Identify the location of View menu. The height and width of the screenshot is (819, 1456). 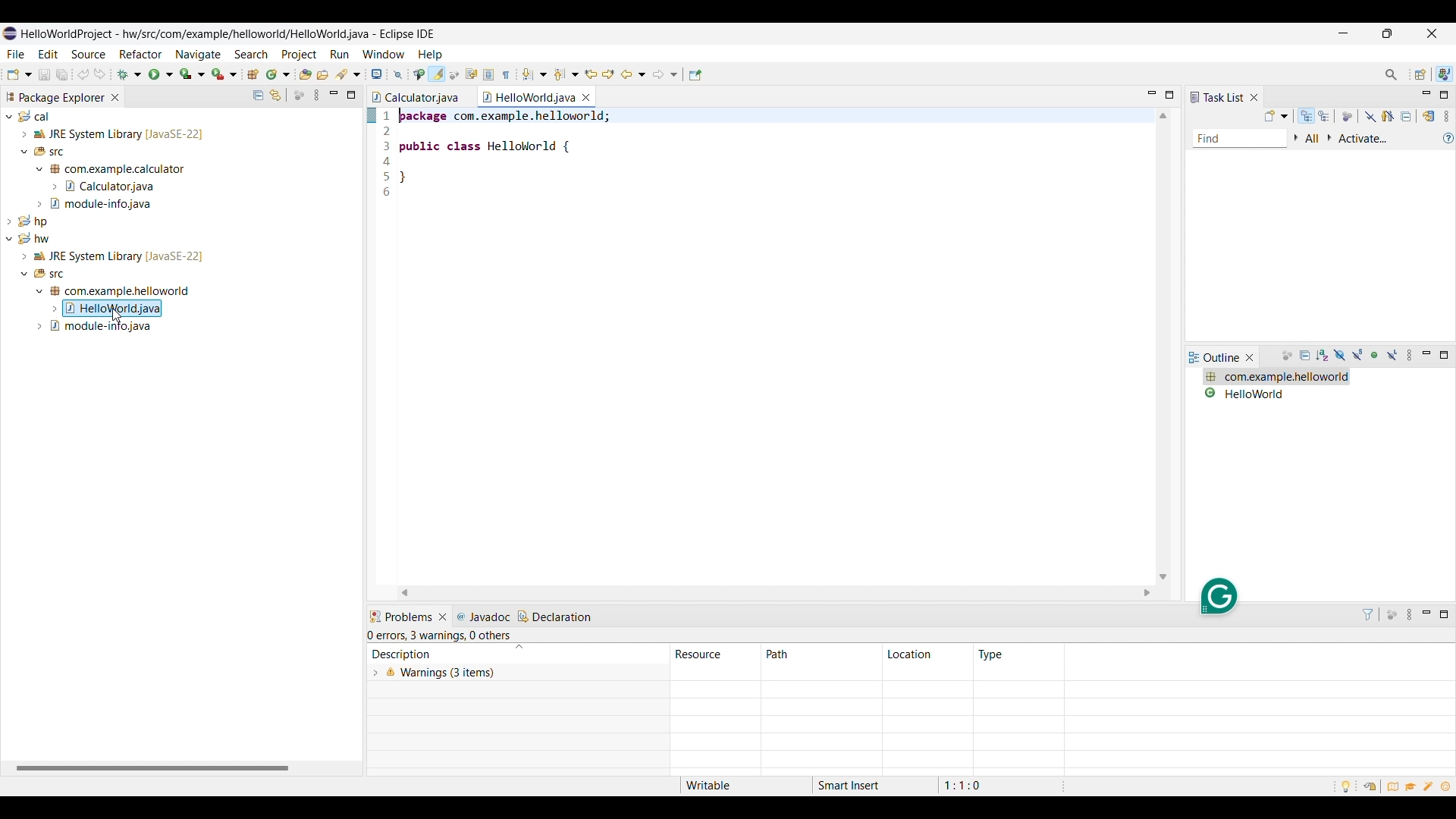
(1411, 615).